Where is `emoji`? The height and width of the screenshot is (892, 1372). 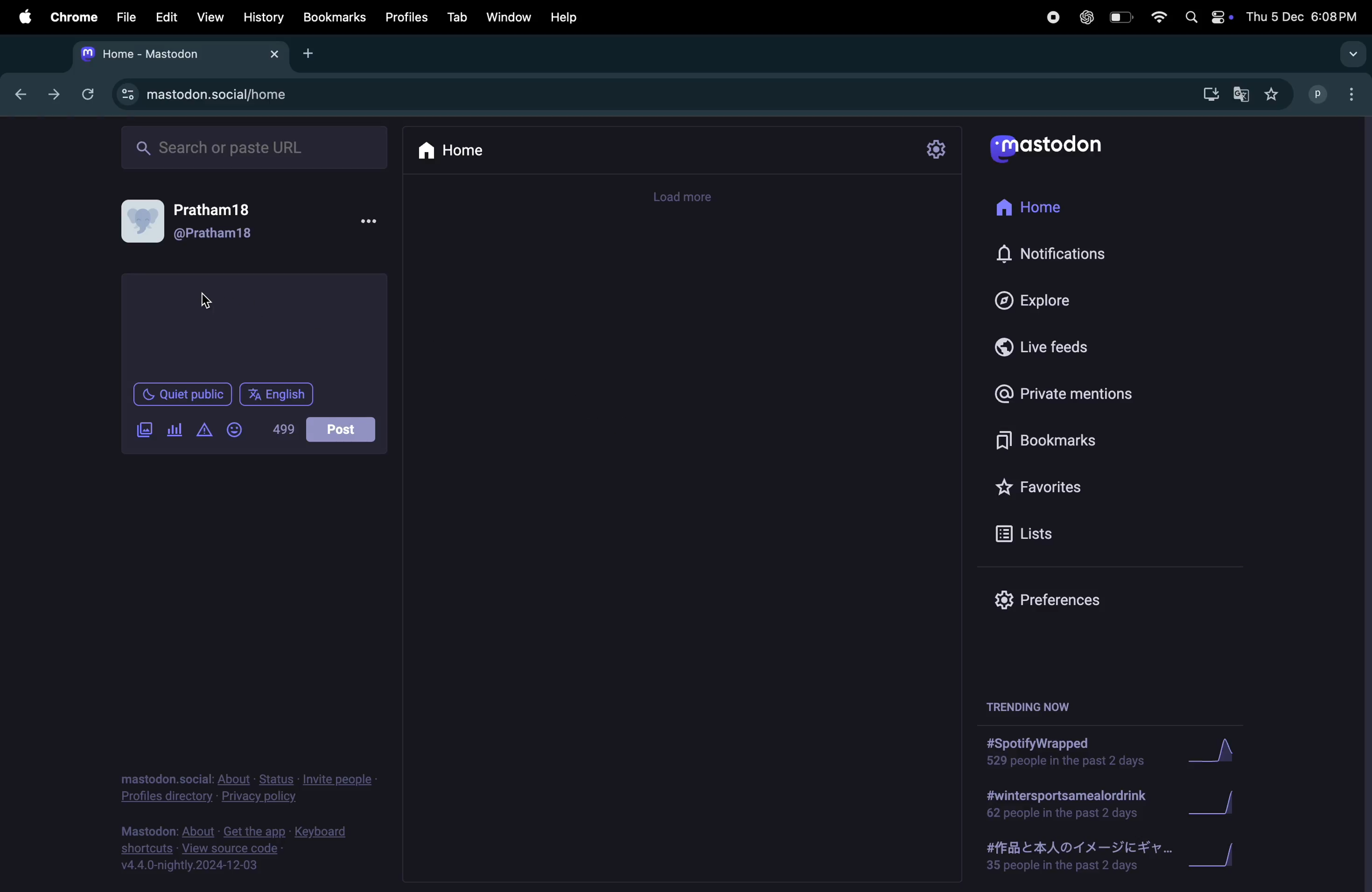
emoji is located at coordinates (236, 429).